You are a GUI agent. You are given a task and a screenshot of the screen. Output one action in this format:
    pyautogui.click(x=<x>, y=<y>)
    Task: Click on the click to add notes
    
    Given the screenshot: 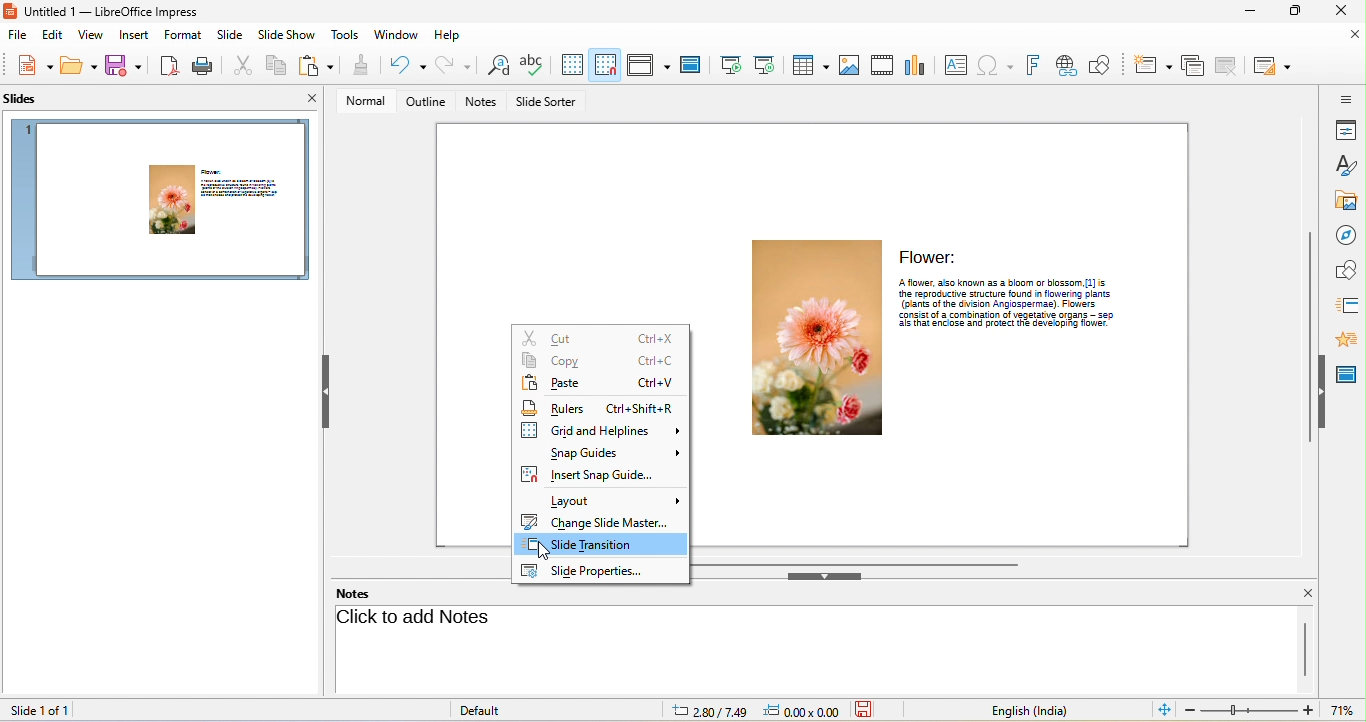 What is the action you would take?
    pyautogui.click(x=418, y=620)
    